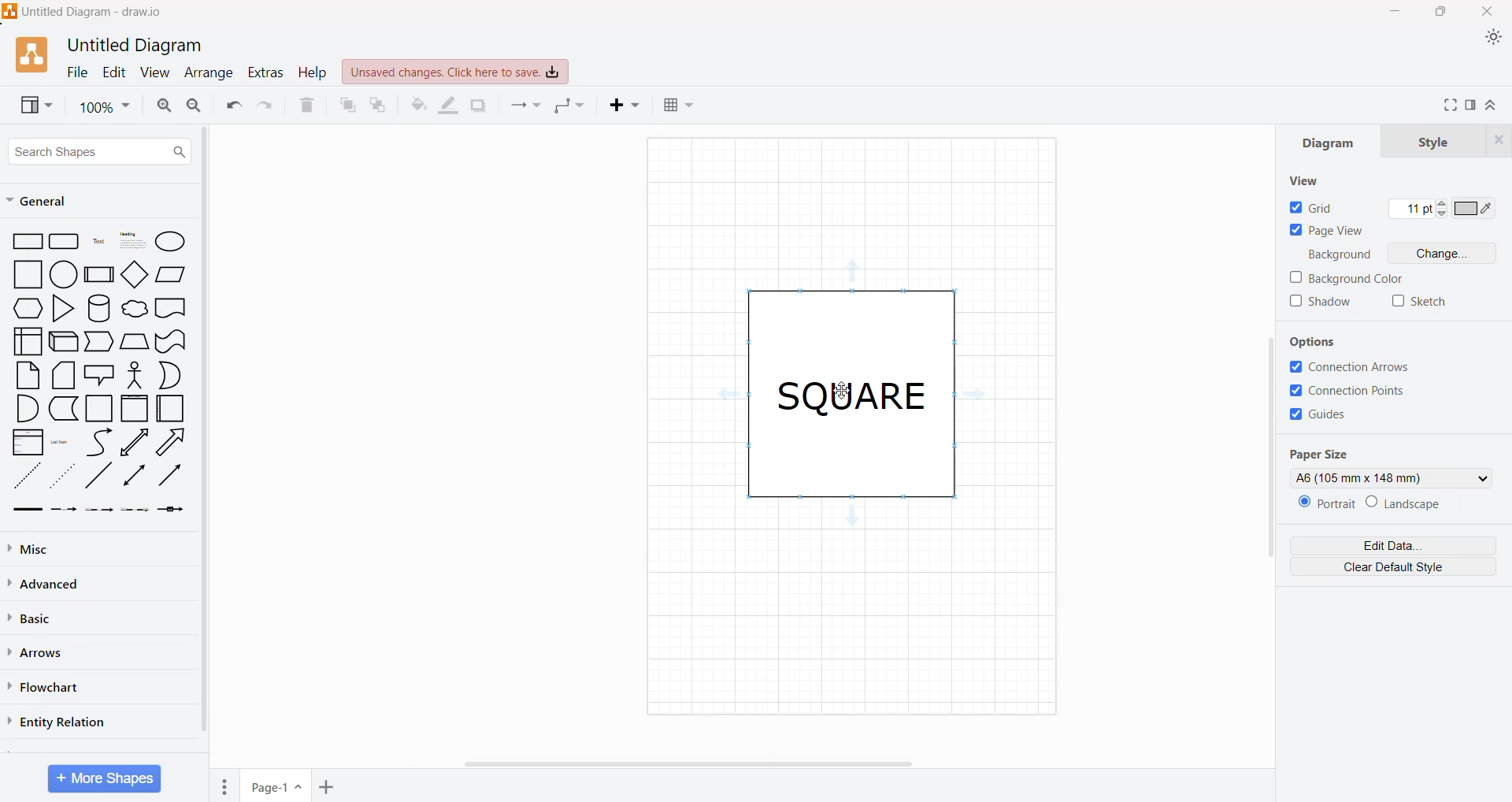 The height and width of the screenshot is (802, 1512). I want to click on L-Shaped Rectangle, so click(61, 408).